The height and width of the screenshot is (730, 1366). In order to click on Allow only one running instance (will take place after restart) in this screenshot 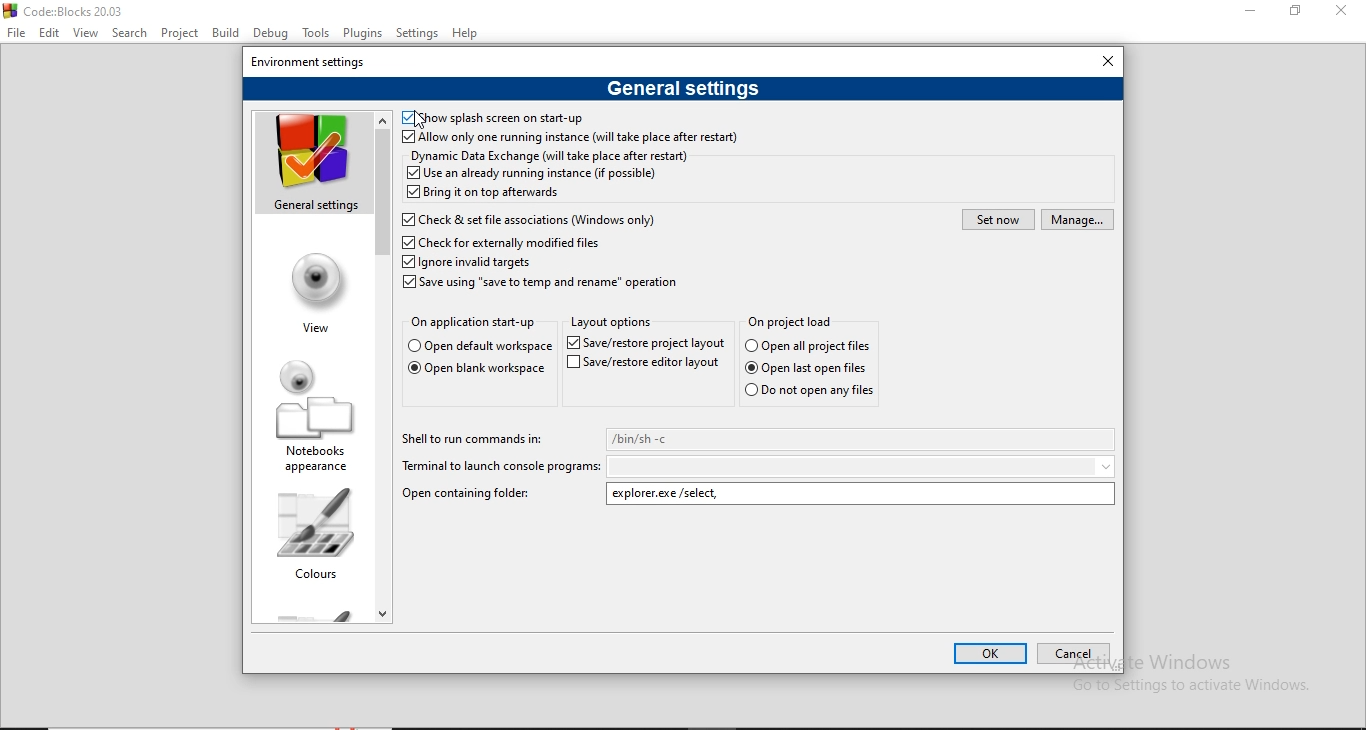, I will do `click(570, 139)`.